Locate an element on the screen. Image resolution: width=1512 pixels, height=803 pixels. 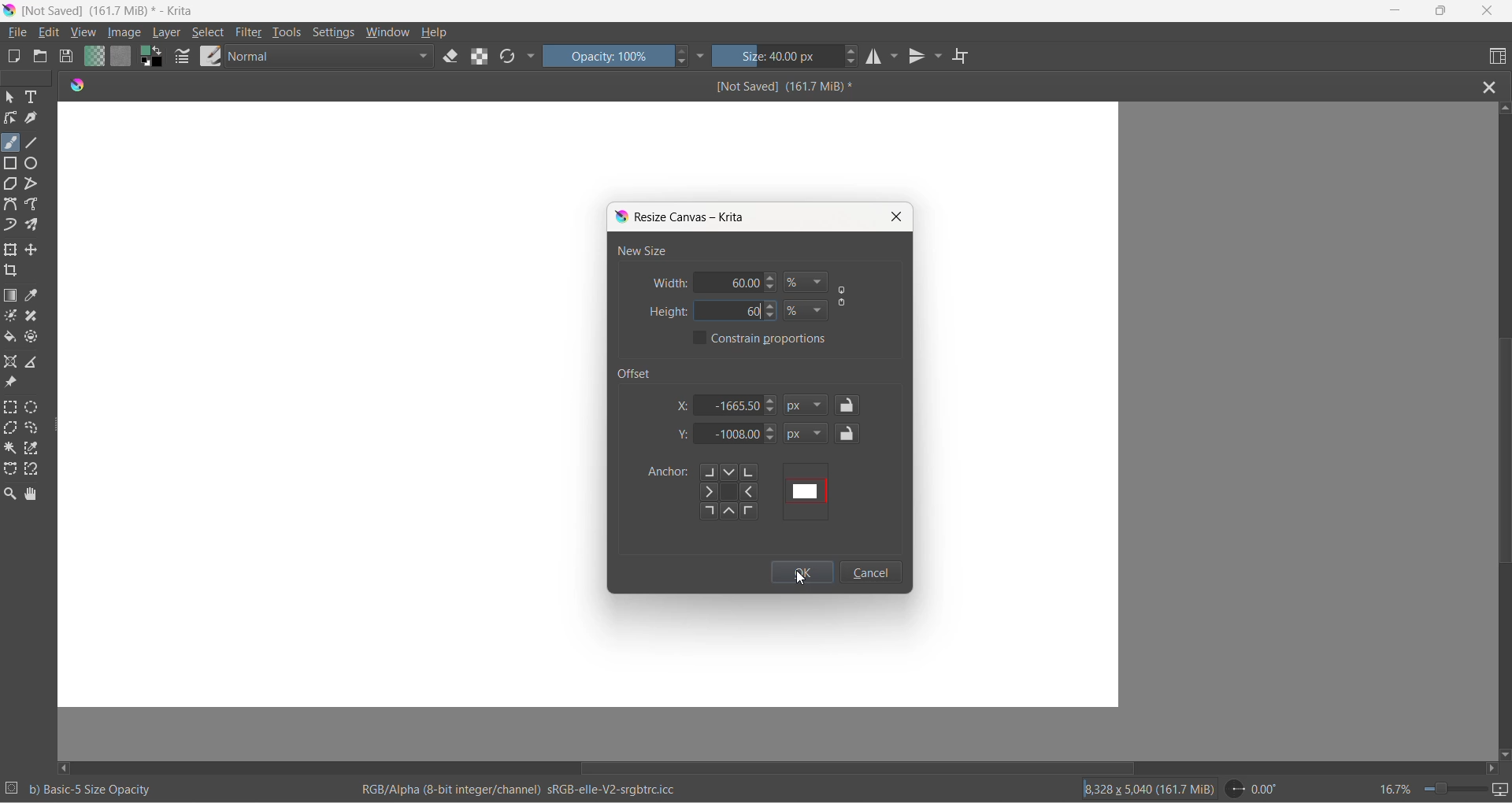
draw a gradient is located at coordinates (13, 297).